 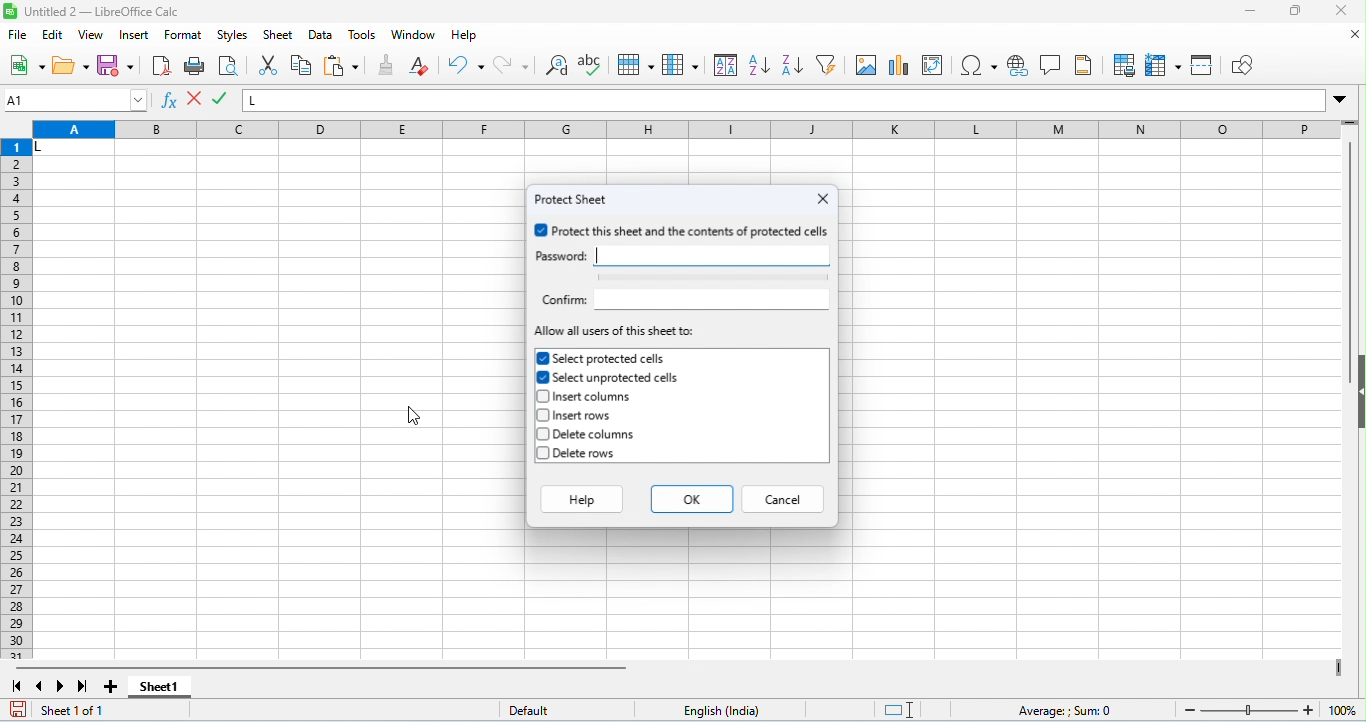 I want to click on cursor movement, so click(x=412, y=413).